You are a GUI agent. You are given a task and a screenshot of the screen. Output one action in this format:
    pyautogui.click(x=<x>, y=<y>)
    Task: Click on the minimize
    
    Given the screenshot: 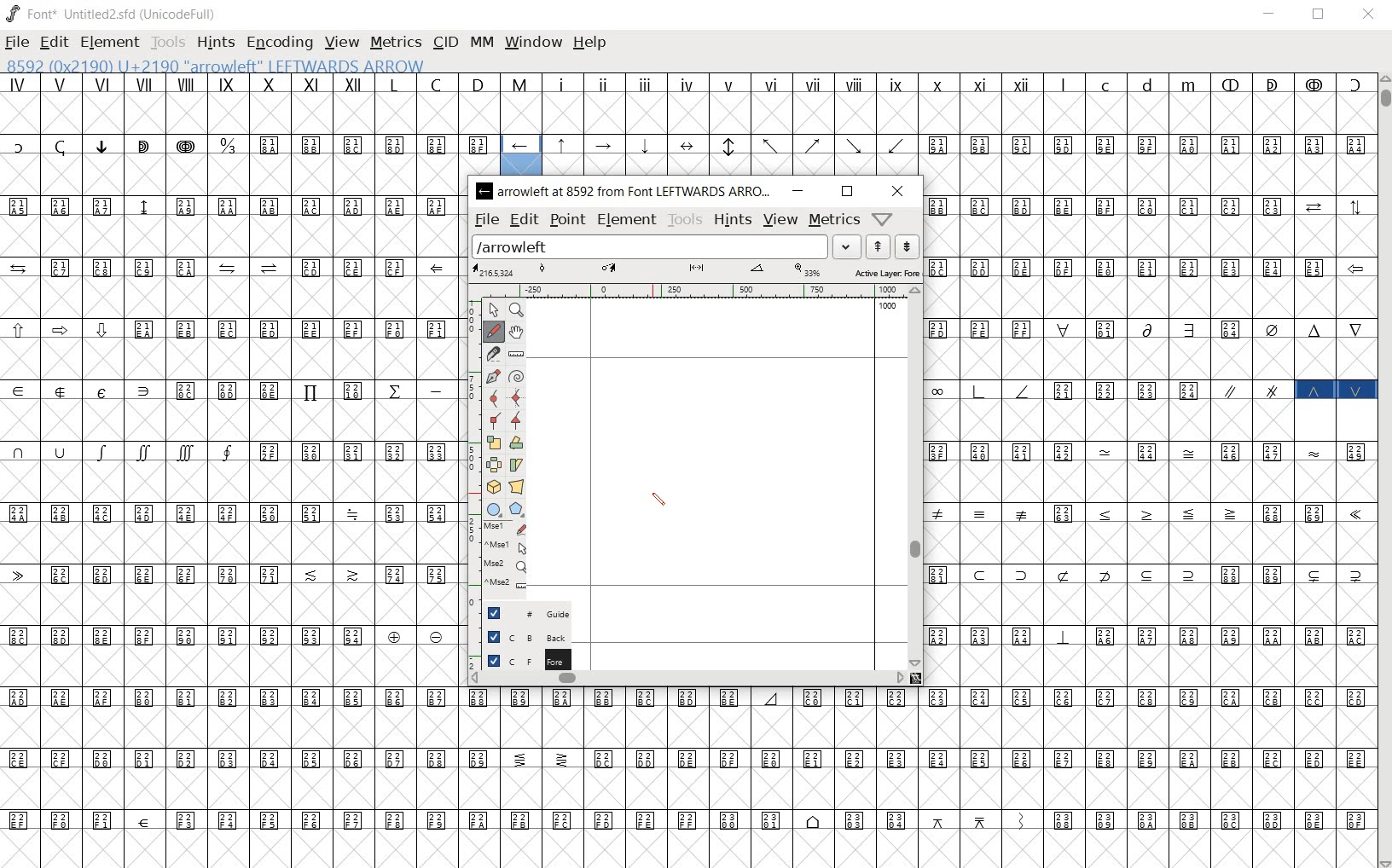 What is the action you would take?
    pyautogui.click(x=800, y=191)
    